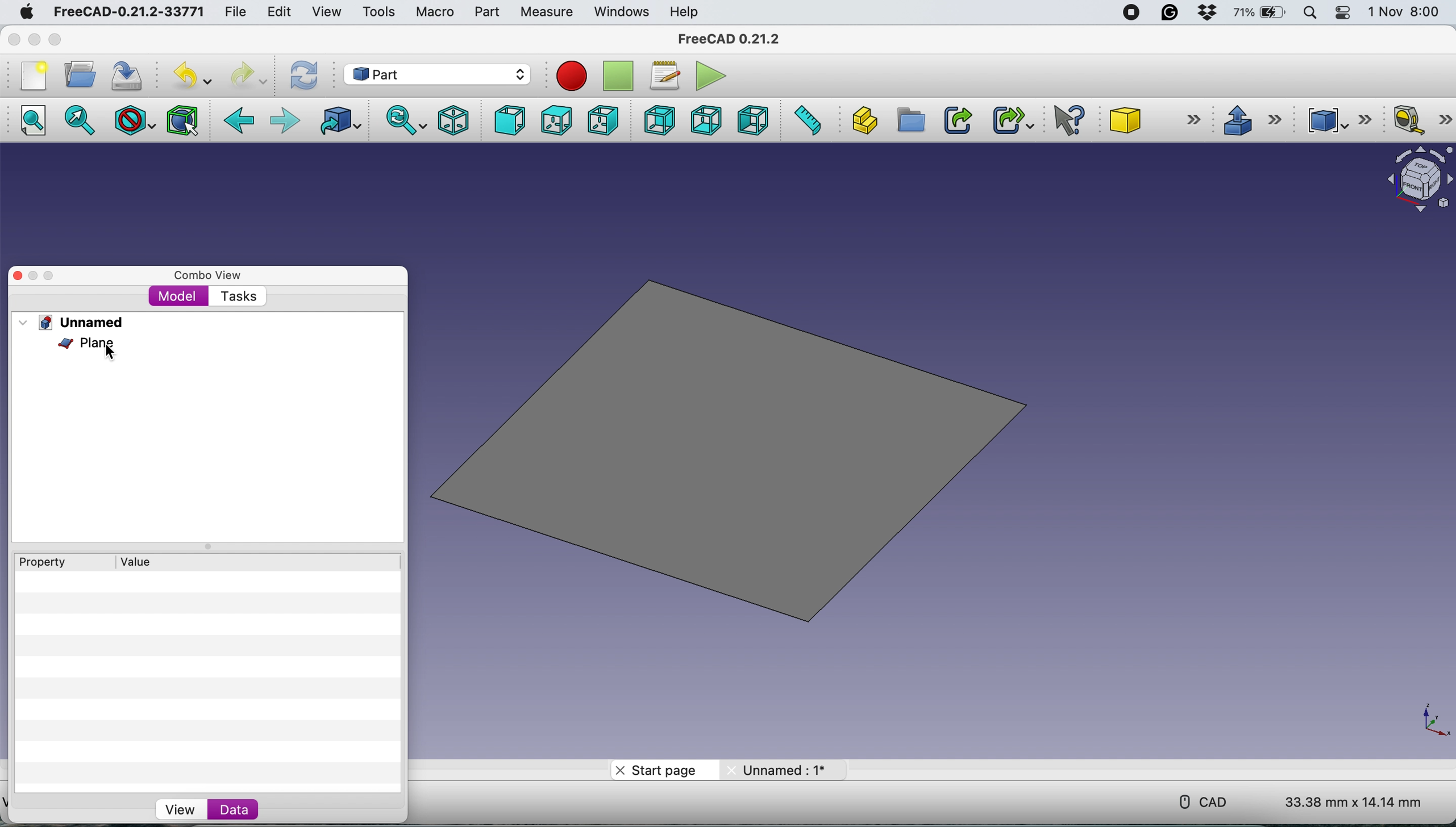 The width and height of the screenshot is (1456, 827). Describe the element at coordinates (286, 123) in the screenshot. I see `foward` at that location.